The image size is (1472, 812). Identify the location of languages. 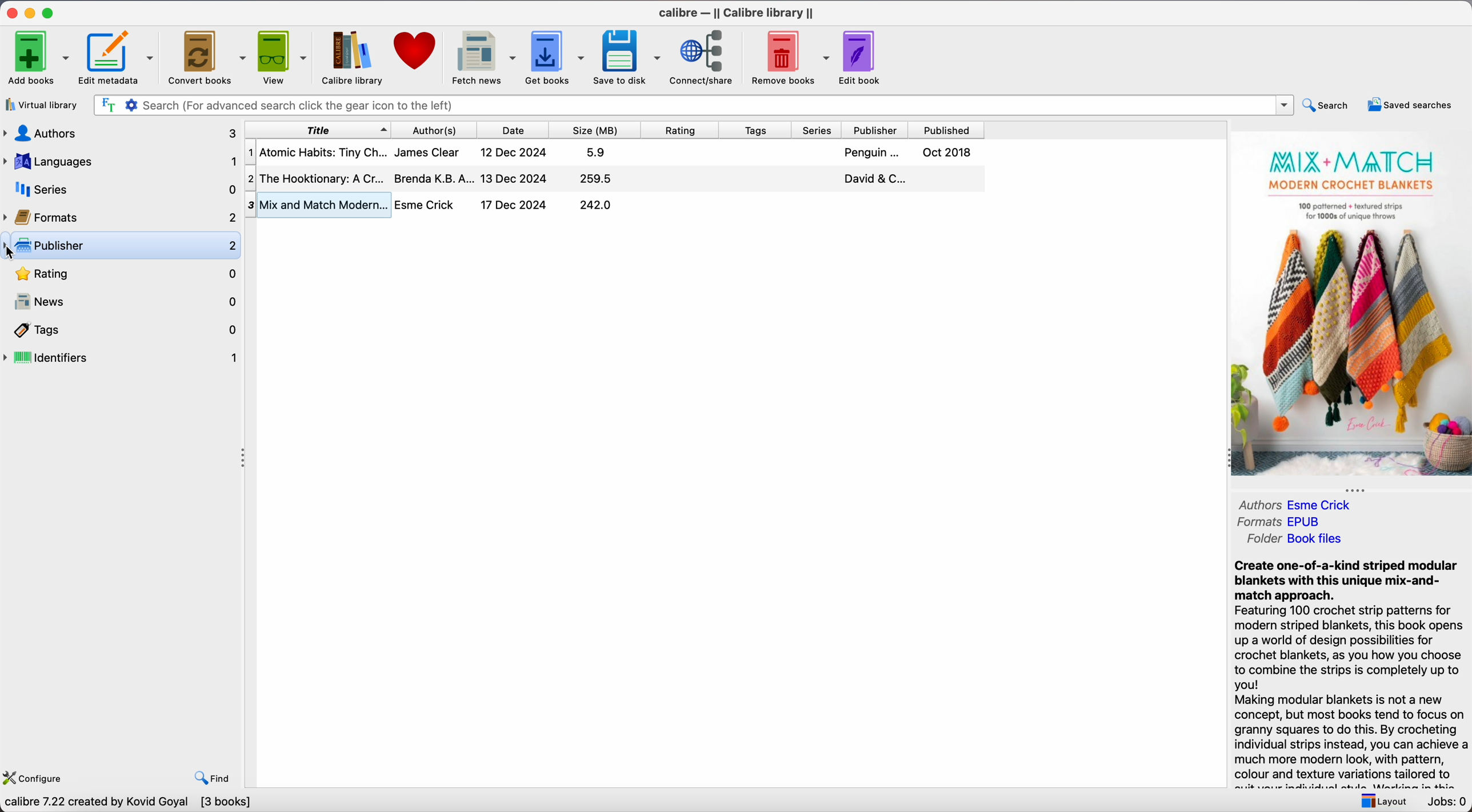
(119, 162).